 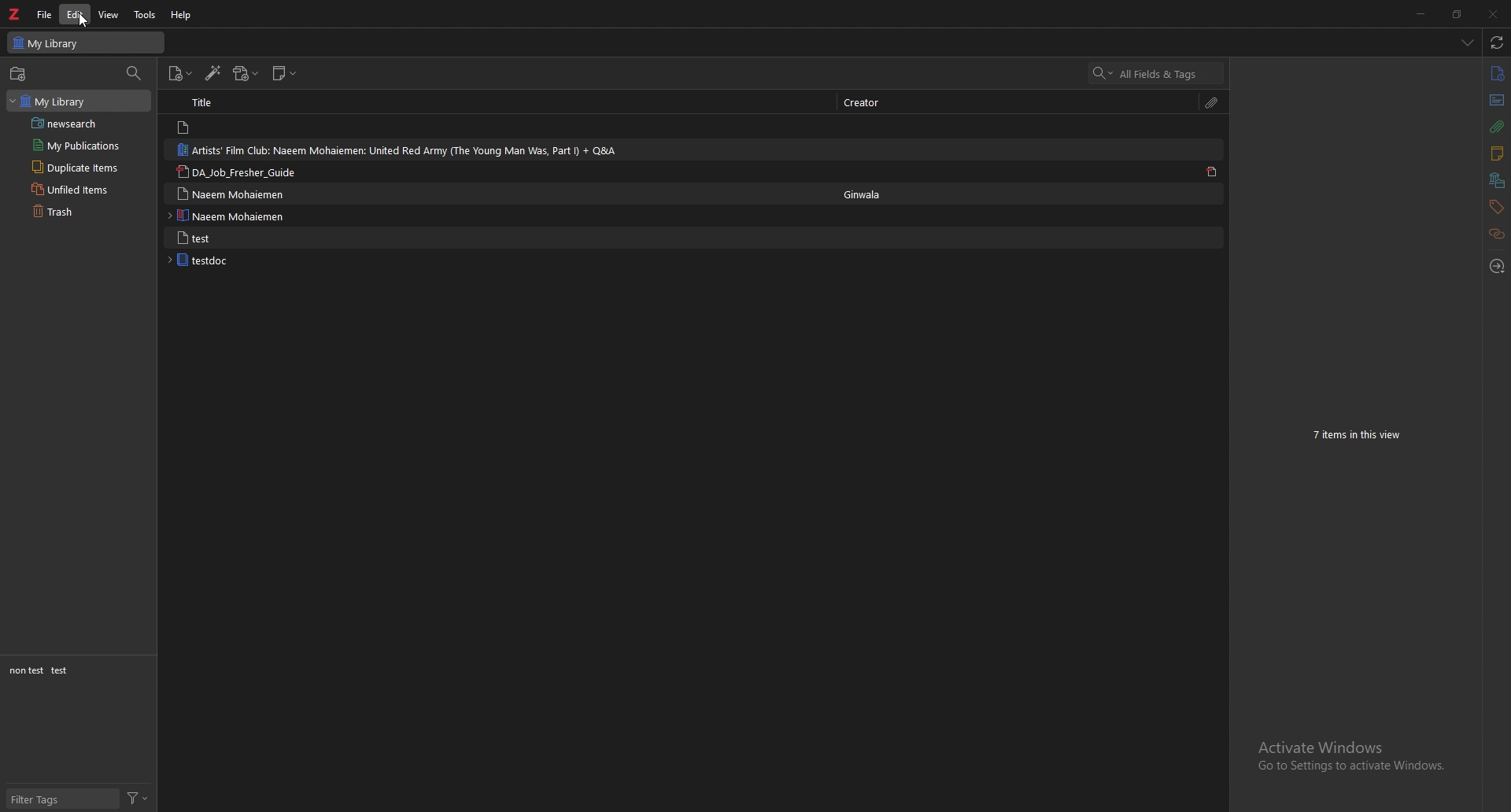 I want to click on new collection, so click(x=17, y=73).